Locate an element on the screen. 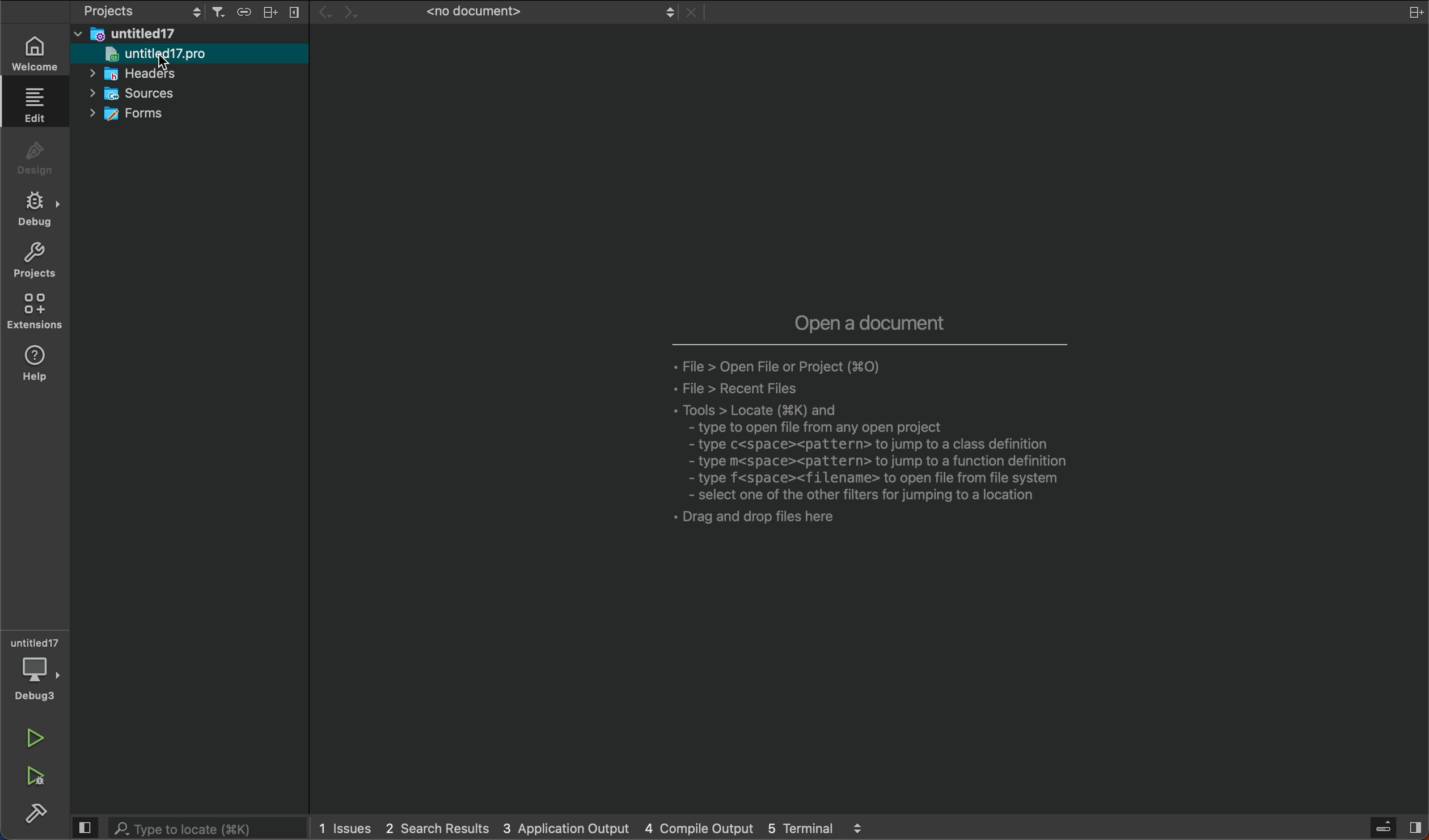 This screenshot has height=840, width=1429. 5 terminal is located at coordinates (818, 829).